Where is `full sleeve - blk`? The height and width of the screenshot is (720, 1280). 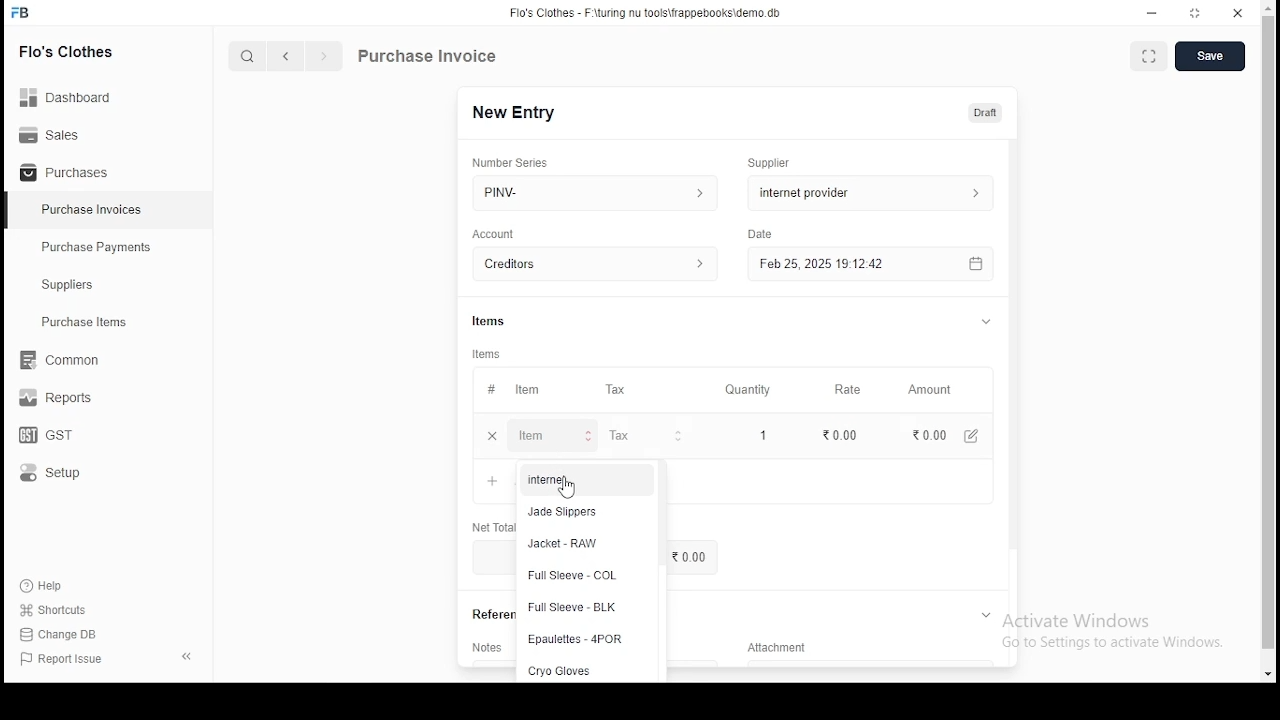
full sleeve - blk is located at coordinates (574, 608).